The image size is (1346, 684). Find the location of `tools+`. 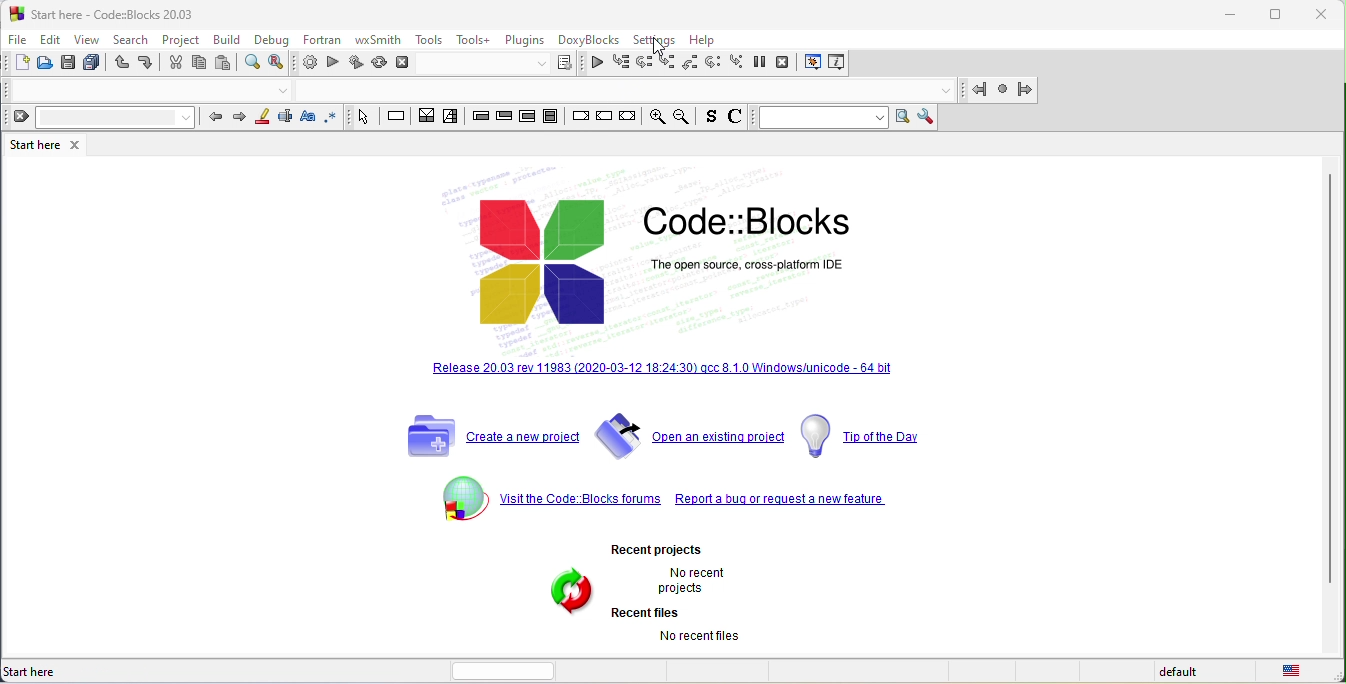

tools+ is located at coordinates (478, 40).